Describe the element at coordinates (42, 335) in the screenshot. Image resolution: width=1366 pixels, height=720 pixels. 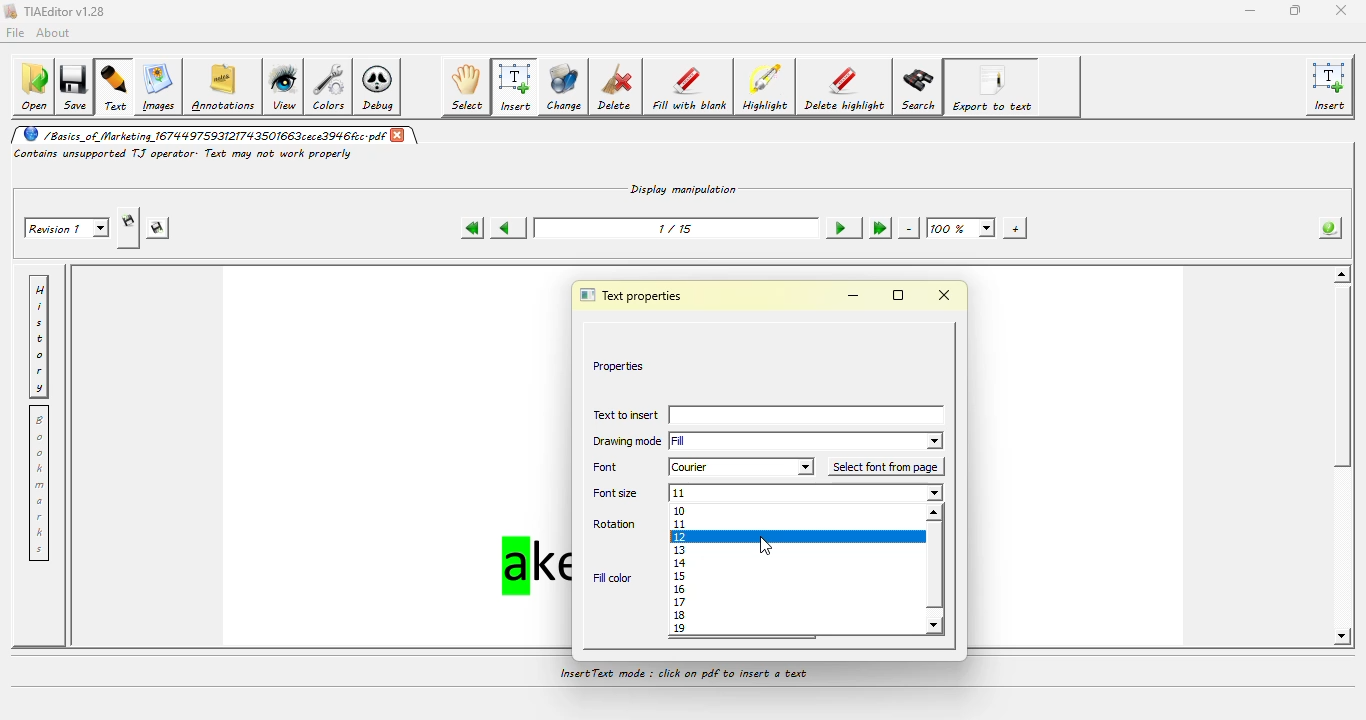
I see `history` at that location.